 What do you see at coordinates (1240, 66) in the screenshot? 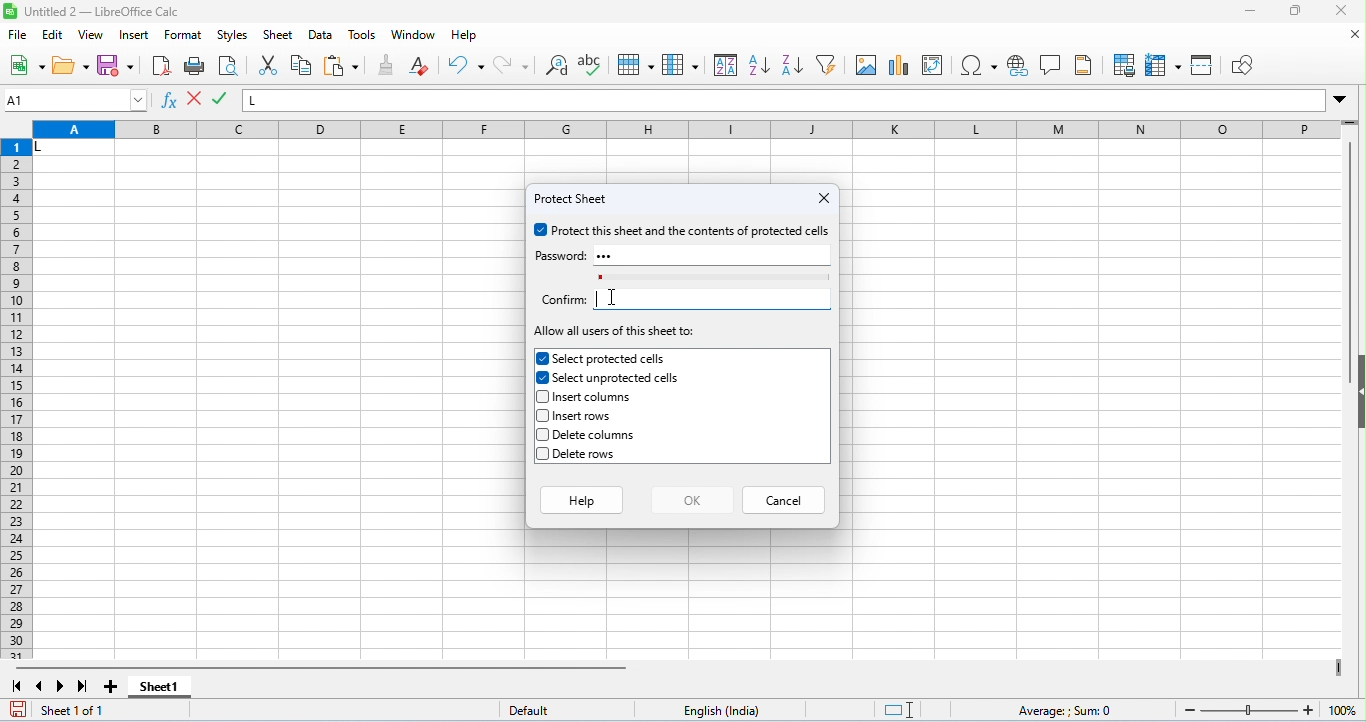
I see `show draw functions` at bounding box center [1240, 66].